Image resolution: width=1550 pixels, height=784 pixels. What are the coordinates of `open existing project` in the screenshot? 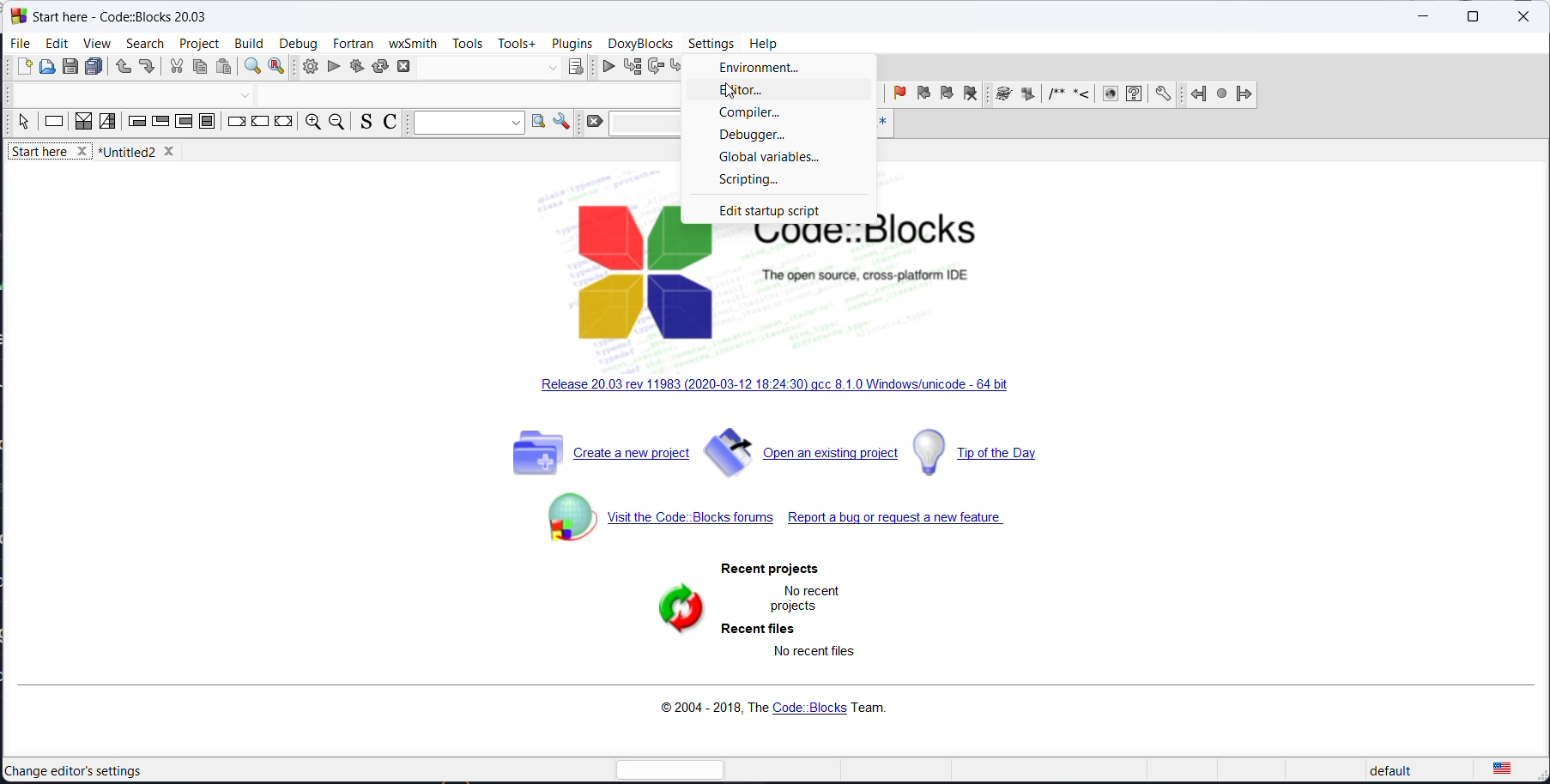 It's located at (802, 457).